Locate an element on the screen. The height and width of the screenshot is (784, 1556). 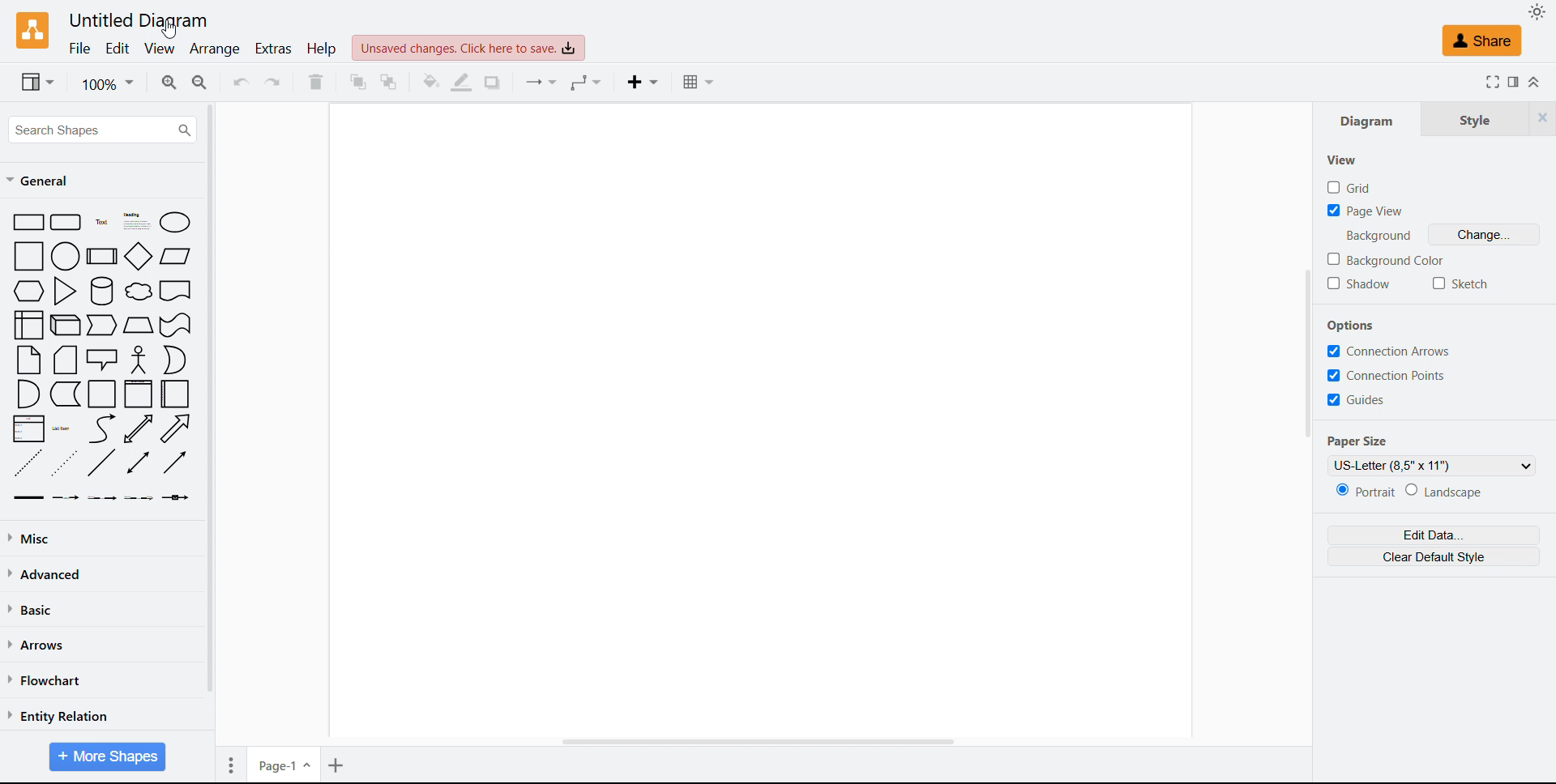
Miscellaneous  is located at coordinates (33, 539).